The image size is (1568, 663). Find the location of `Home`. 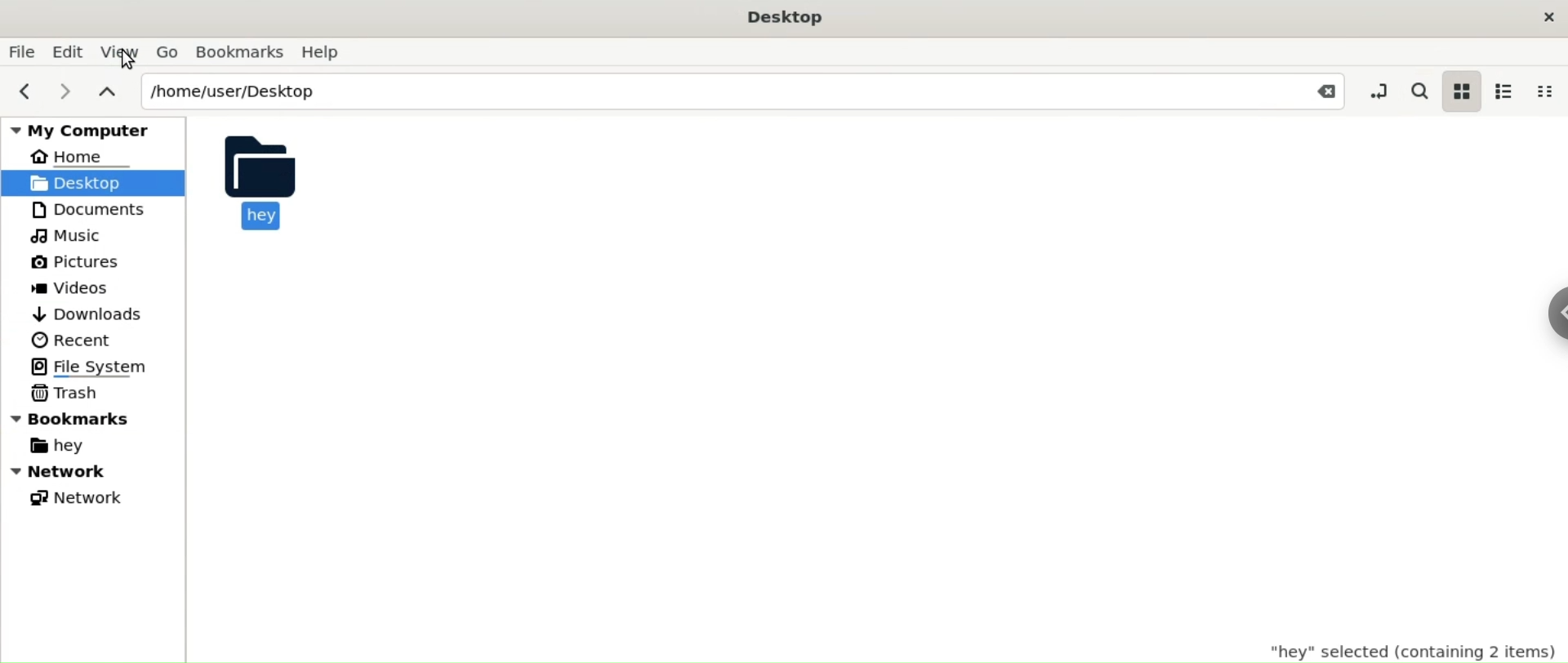

Home is located at coordinates (80, 156).